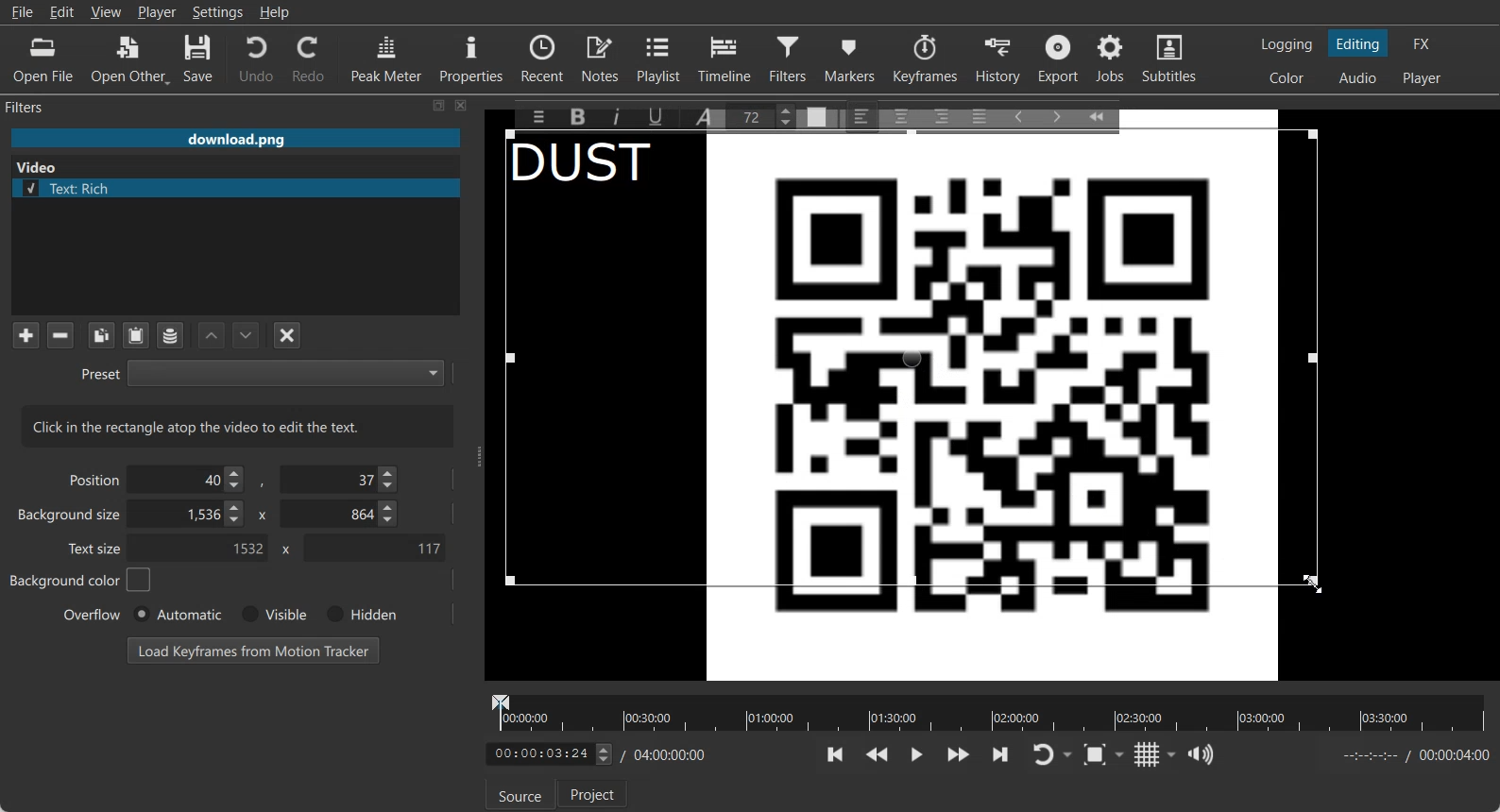 The image size is (1500, 812). Describe the element at coordinates (917, 754) in the screenshot. I see `Toggle play` at that location.